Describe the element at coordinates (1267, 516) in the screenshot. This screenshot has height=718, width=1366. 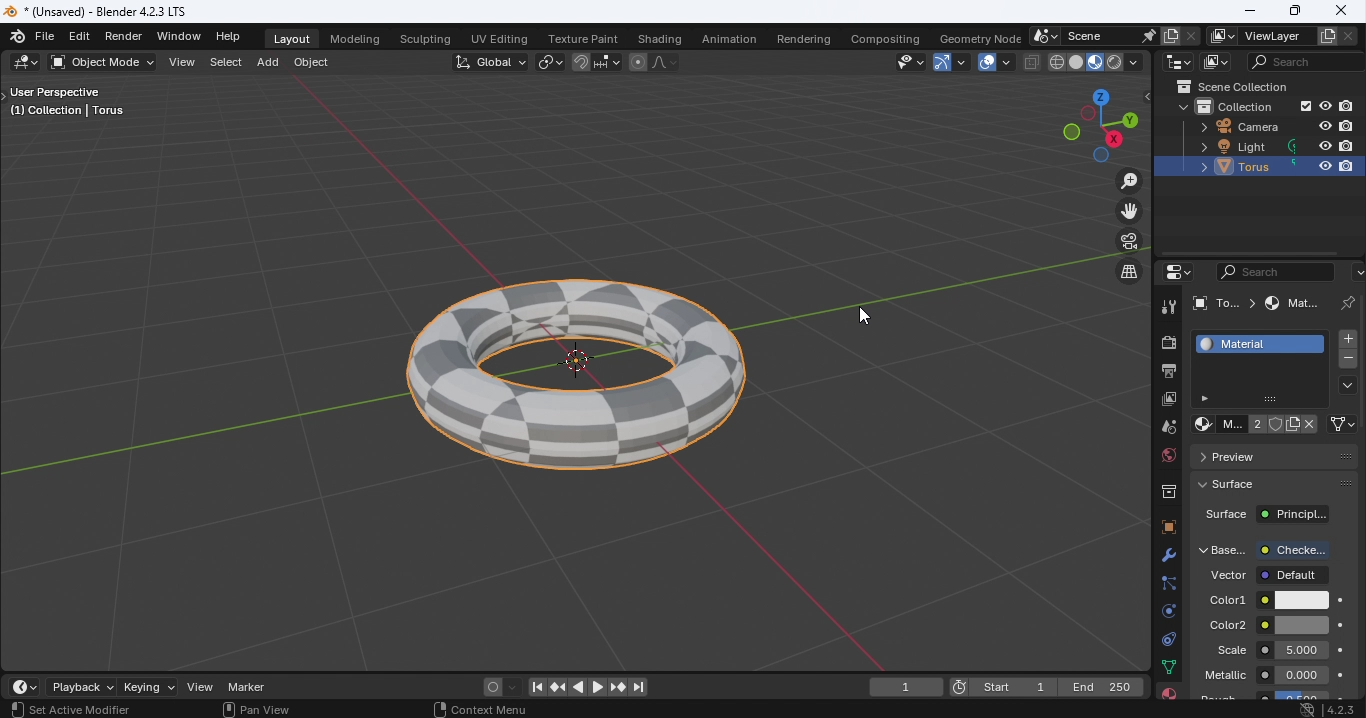
I see `Surface` at that location.